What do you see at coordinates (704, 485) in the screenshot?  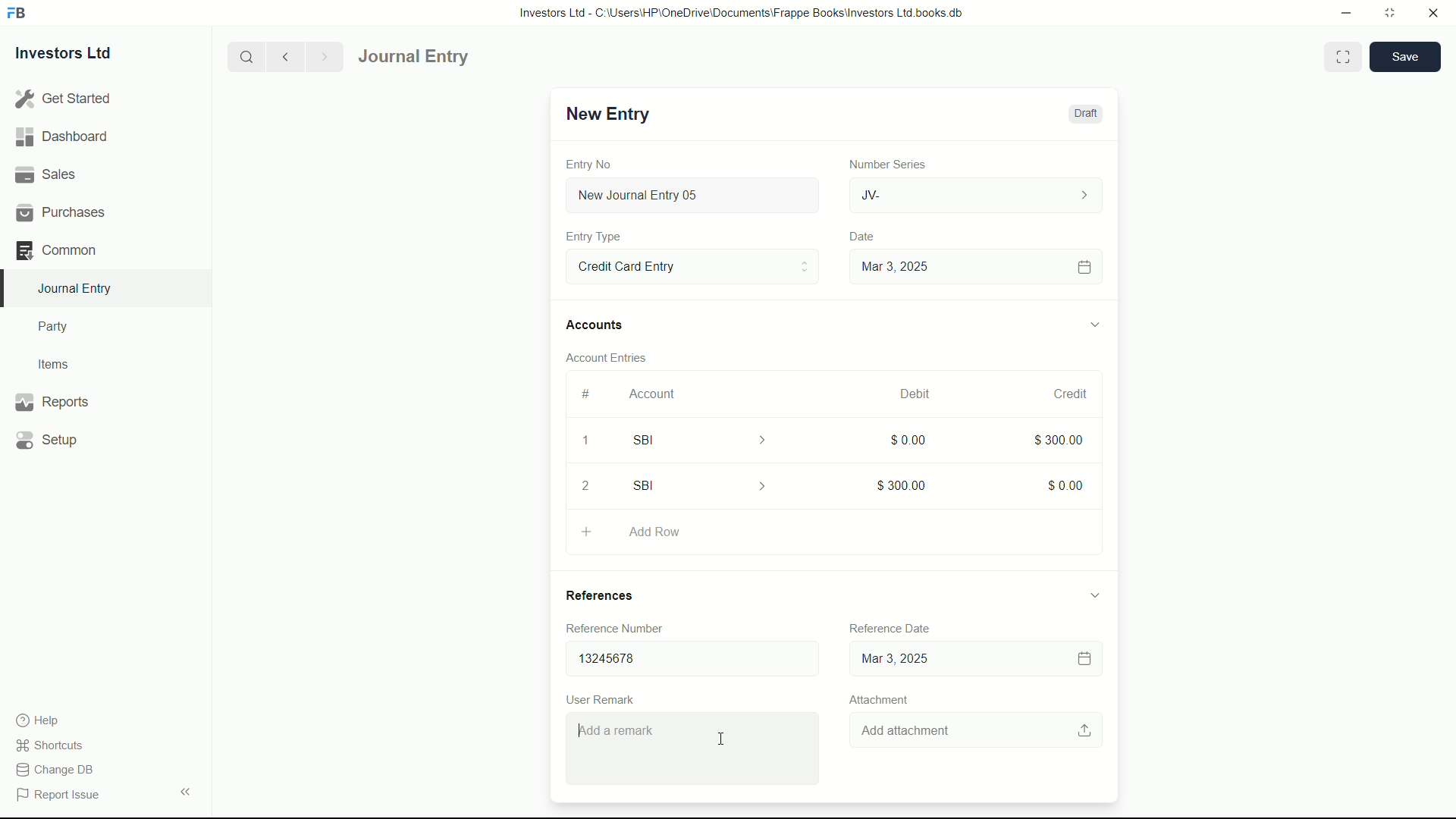 I see `SBI` at bounding box center [704, 485].